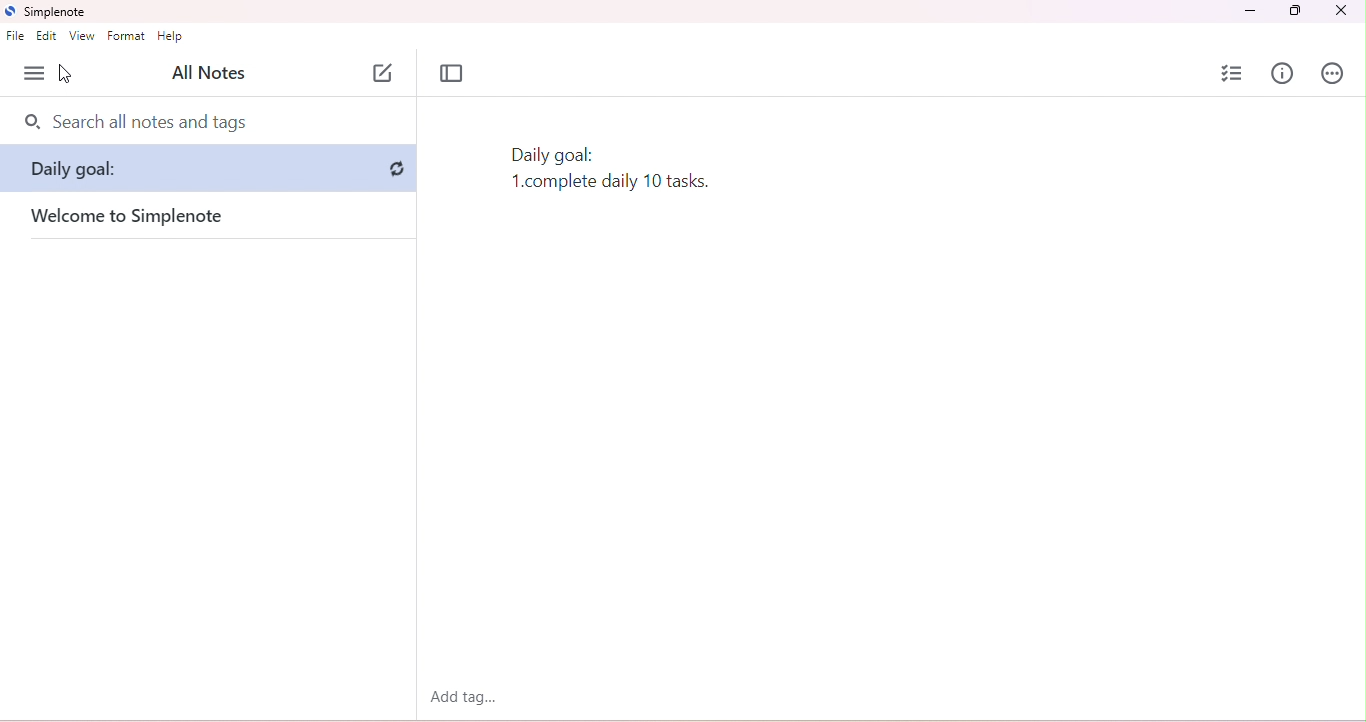 The height and width of the screenshot is (722, 1366). I want to click on info, so click(1282, 72).